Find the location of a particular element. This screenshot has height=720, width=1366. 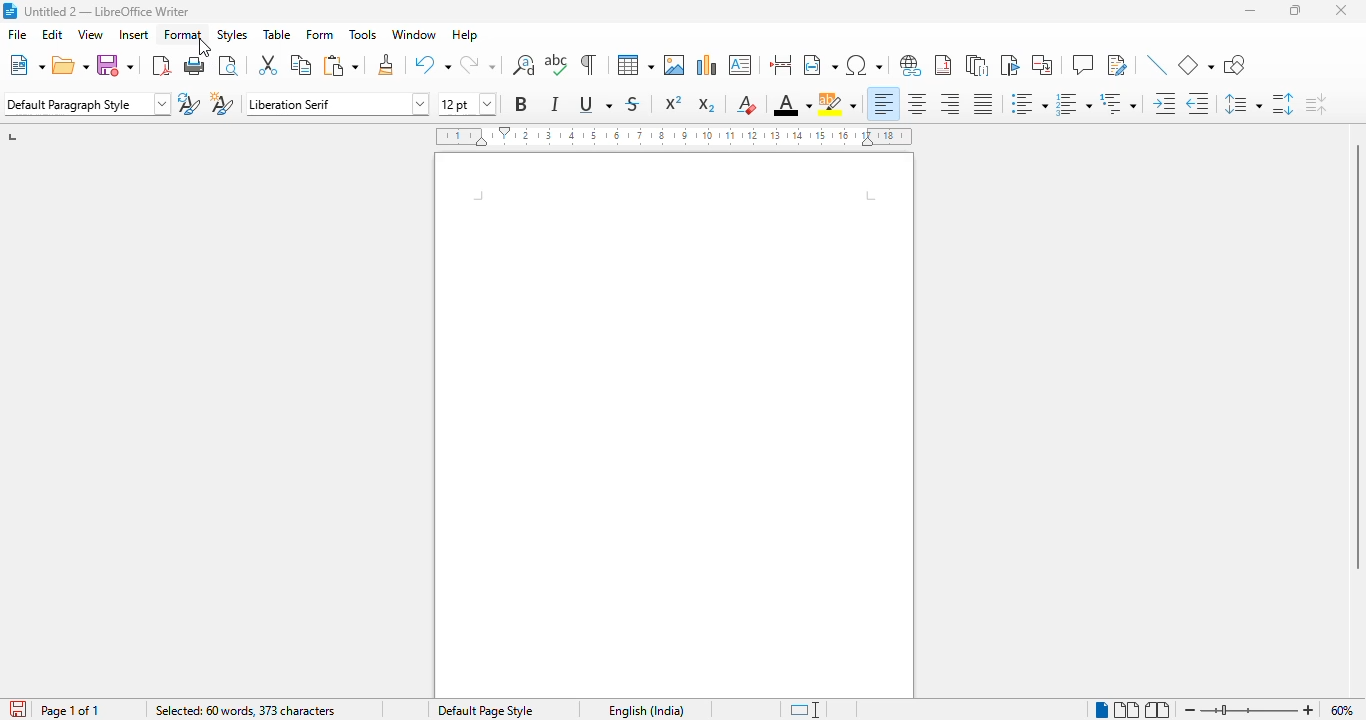

vertical scroll bar is located at coordinates (1357, 357).